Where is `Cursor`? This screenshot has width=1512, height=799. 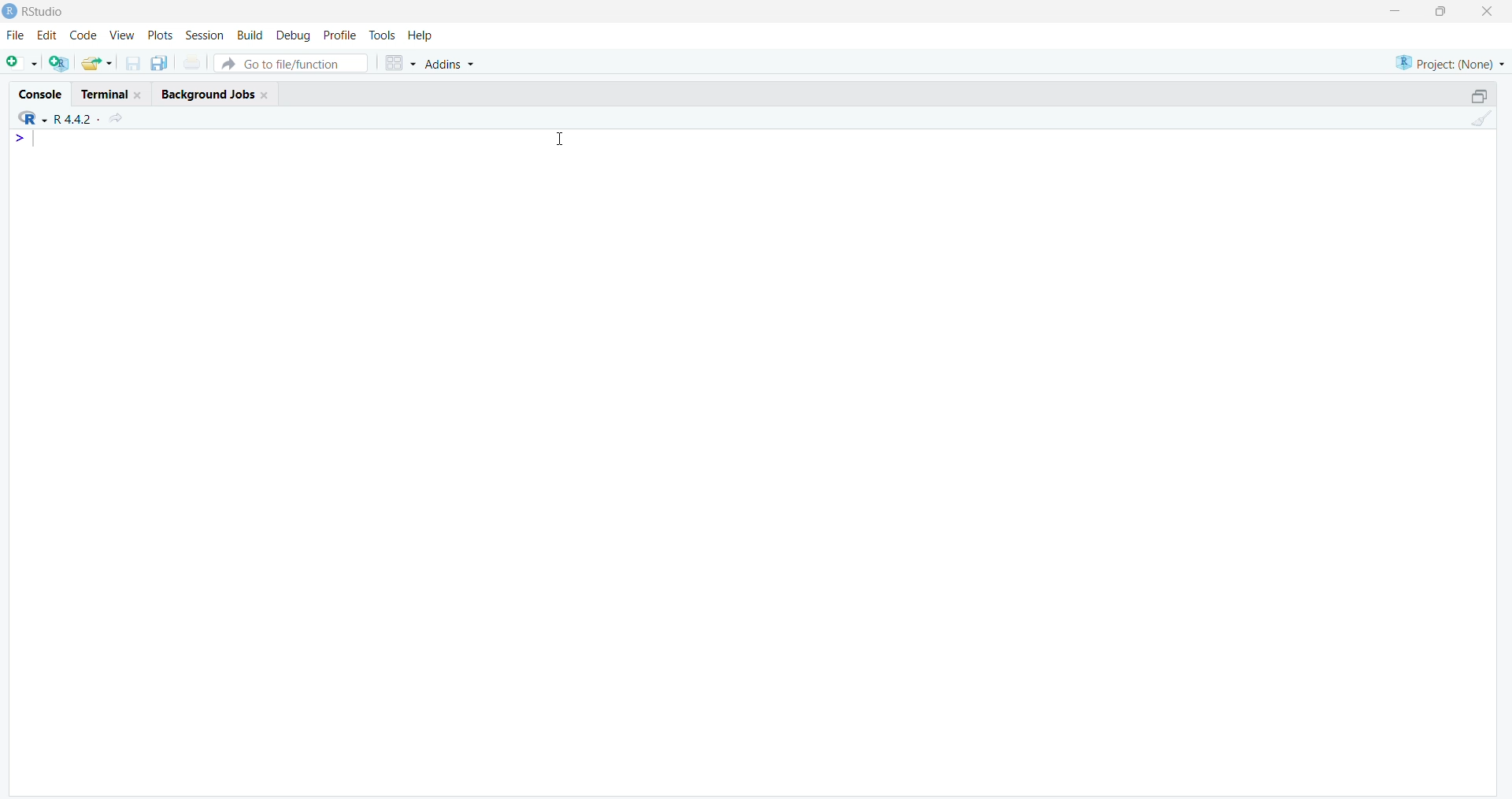 Cursor is located at coordinates (560, 138).